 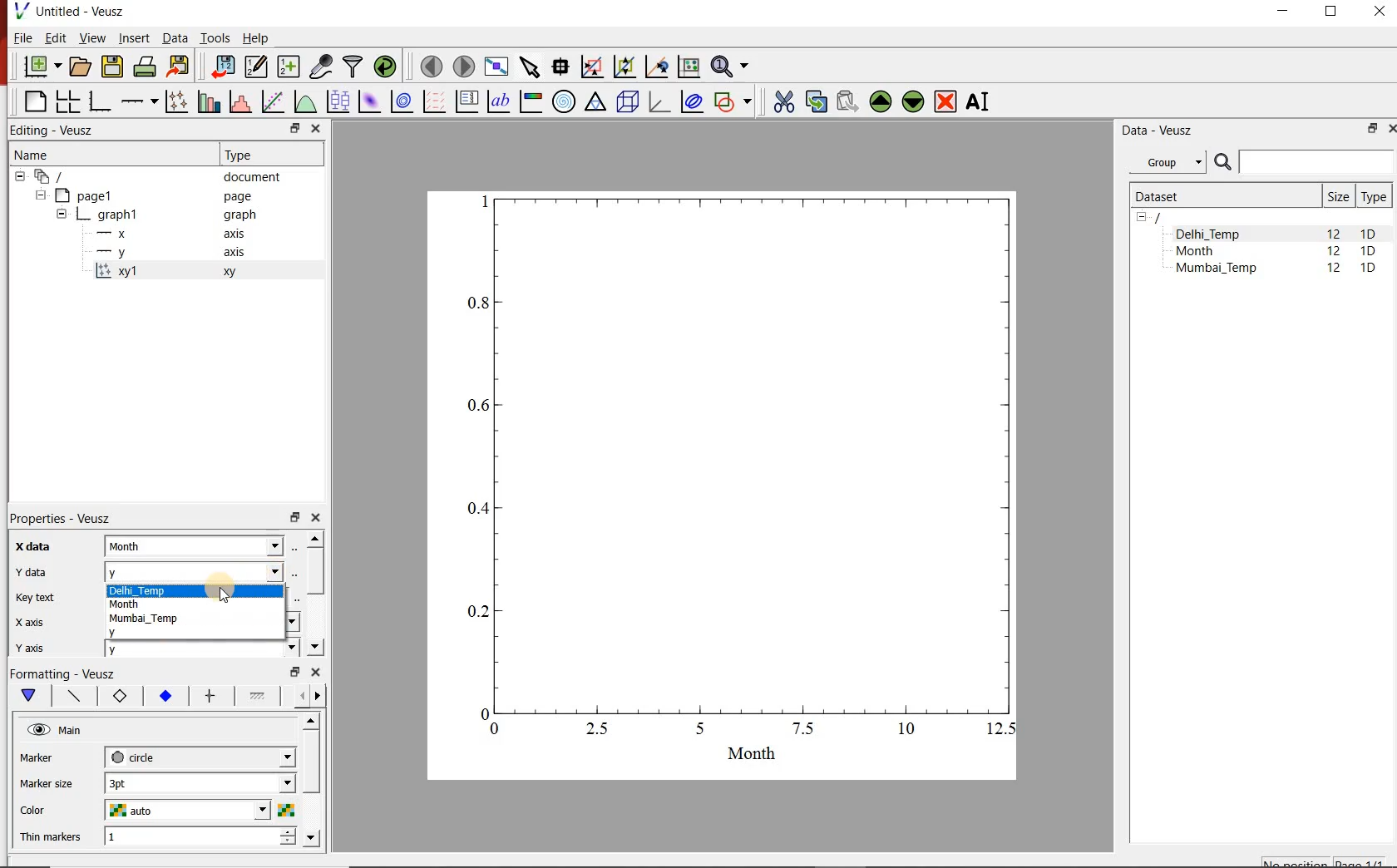 What do you see at coordinates (200, 838) in the screenshot?
I see `1` at bounding box center [200, 838].